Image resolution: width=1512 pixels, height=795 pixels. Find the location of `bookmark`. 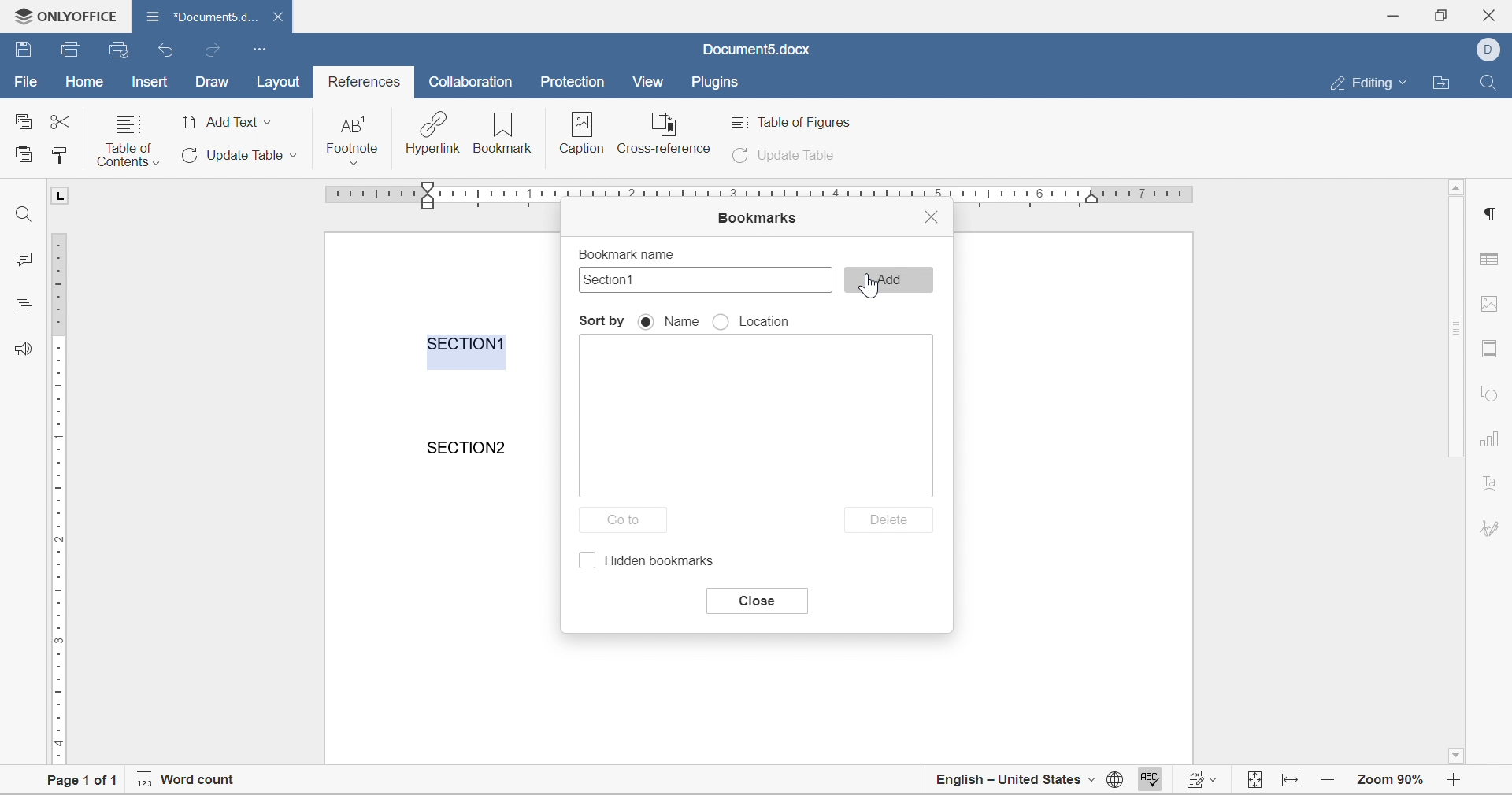

bookmark is located at coordinates (504, 135).